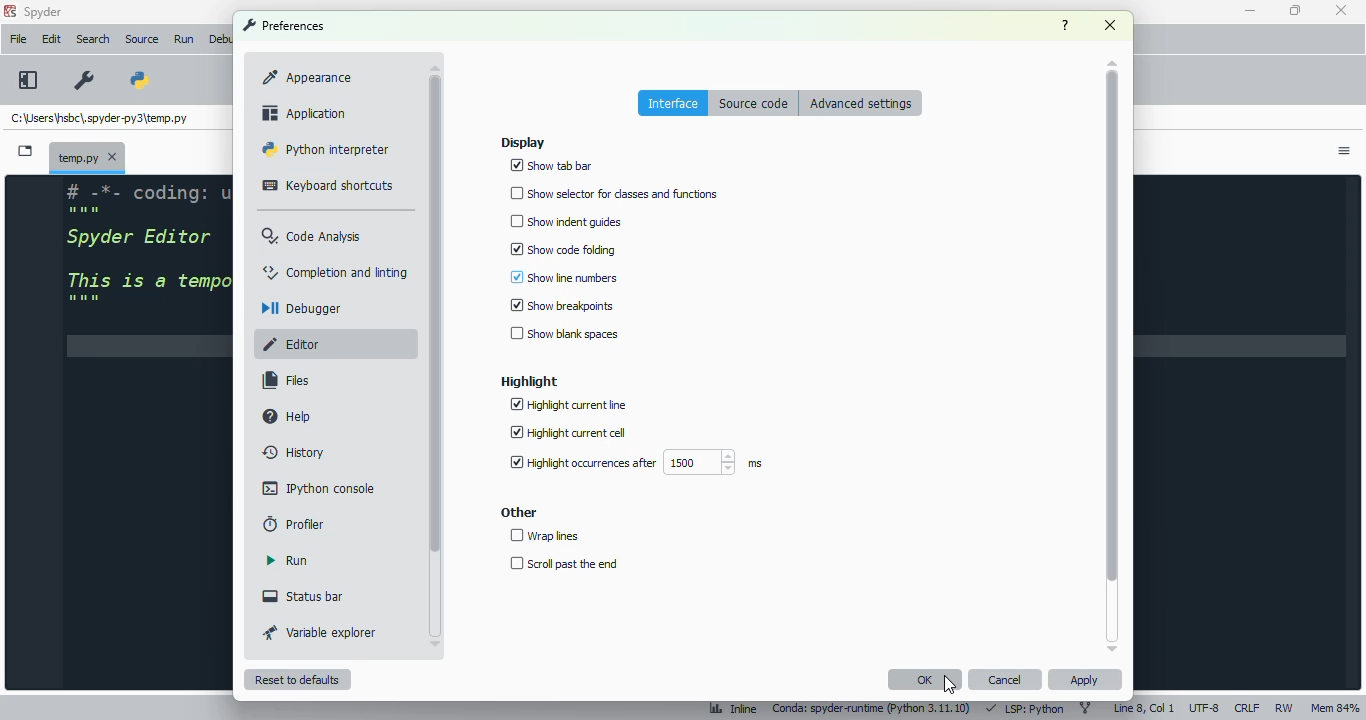 Image resolution: width=1366 pixels, height=720 pixels. What do you see at coordinates (565, 222) in the screenshot?
I see `show indent guides` at bounding box center [565, 222].